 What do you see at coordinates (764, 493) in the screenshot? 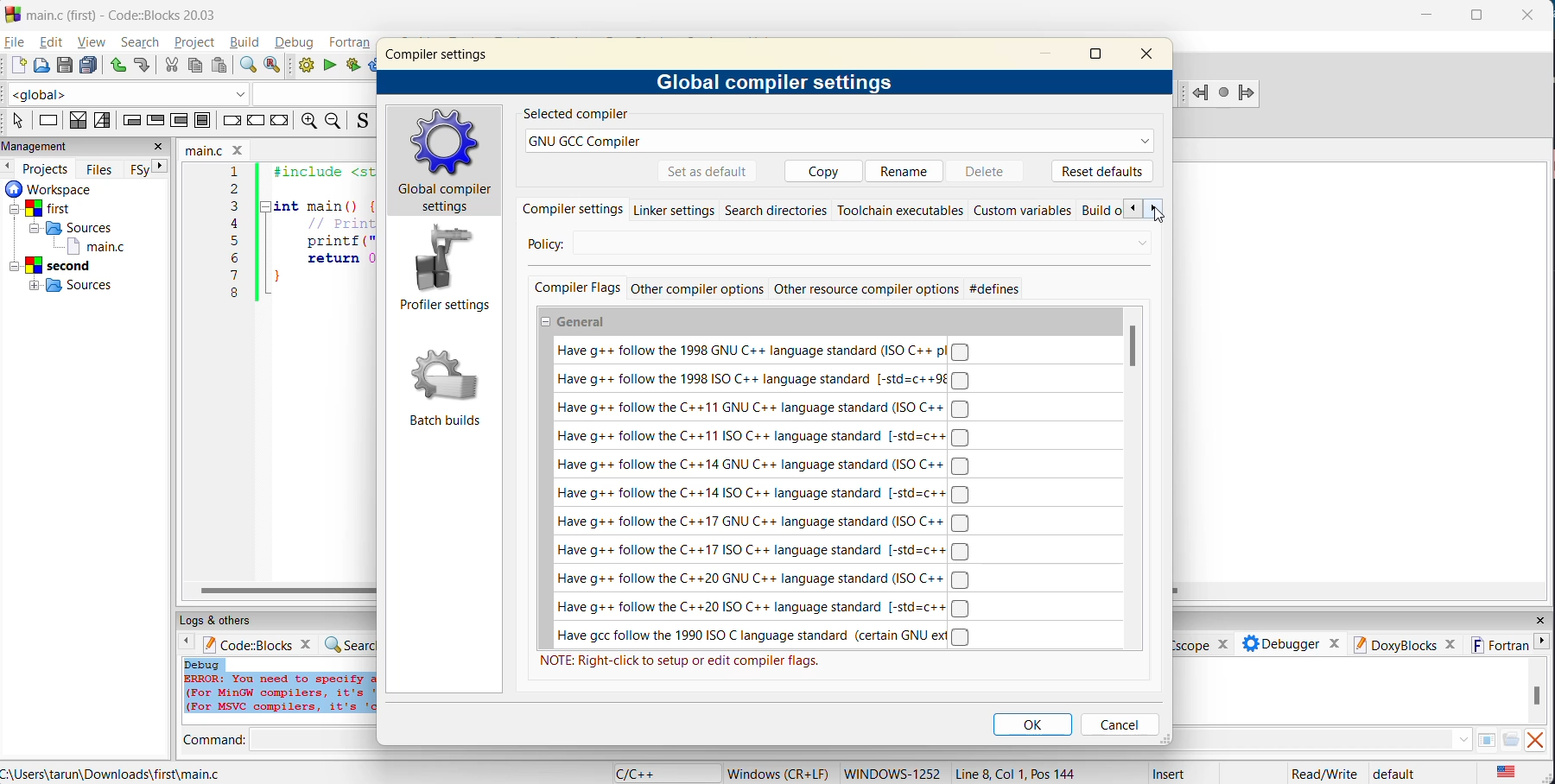
I see `Have g++ follow the C++14 ISO C++ language standard [-std=c++` at bounding box center [764, 493].